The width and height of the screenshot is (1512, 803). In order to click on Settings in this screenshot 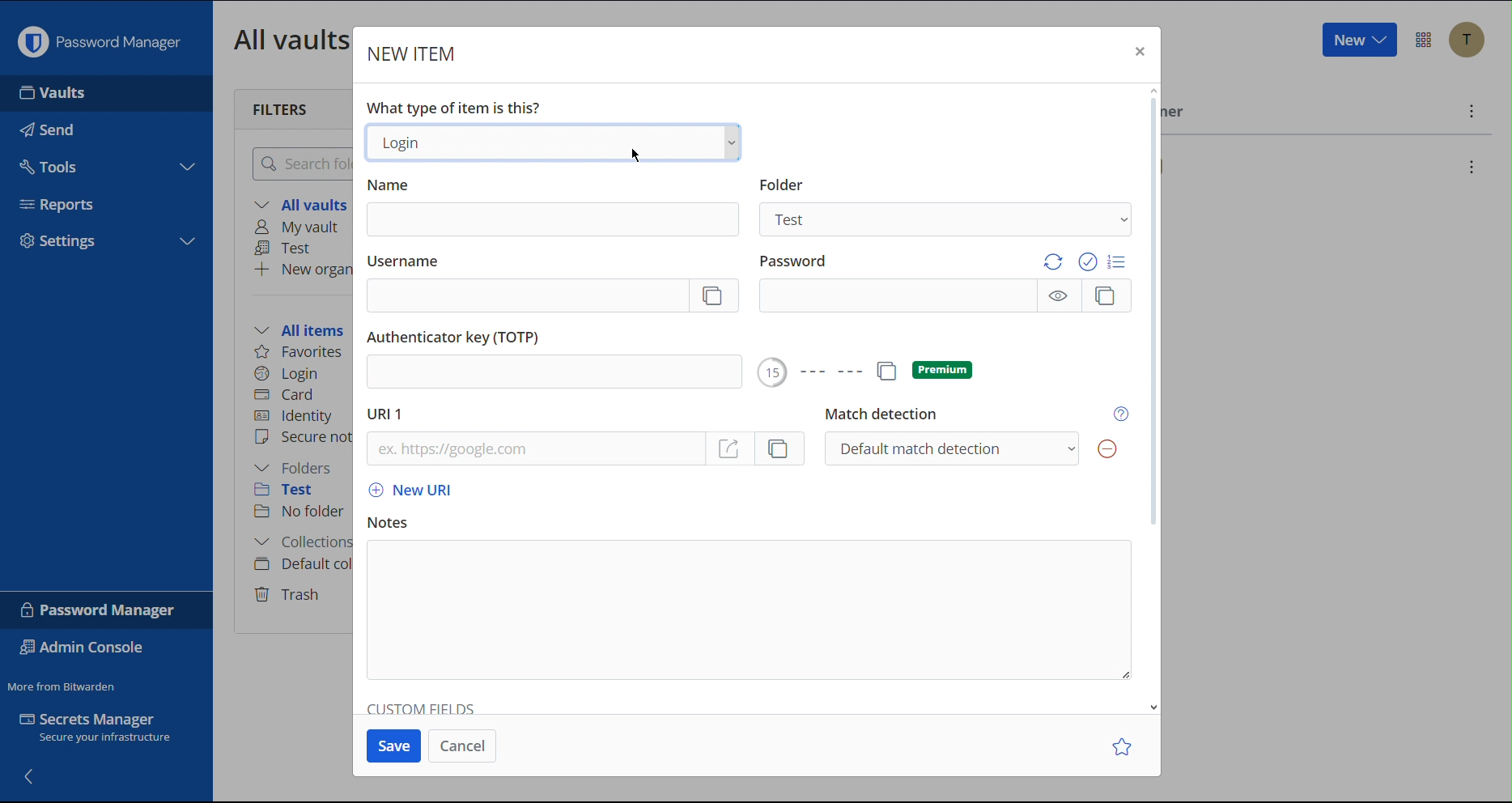, I will do `click(109, 240)`.